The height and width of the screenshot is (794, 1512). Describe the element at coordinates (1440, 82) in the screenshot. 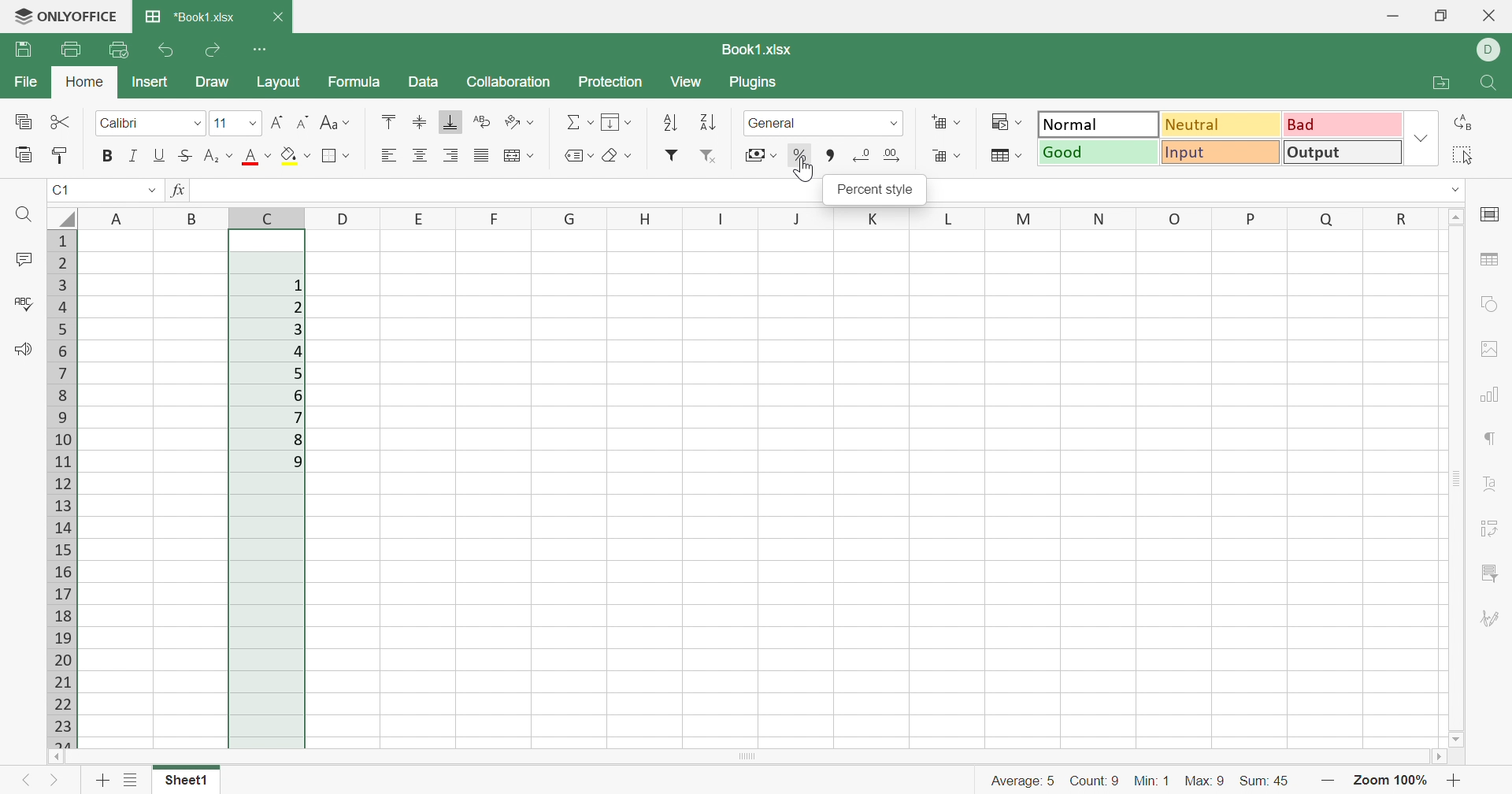

I see `Open file location` at that location.